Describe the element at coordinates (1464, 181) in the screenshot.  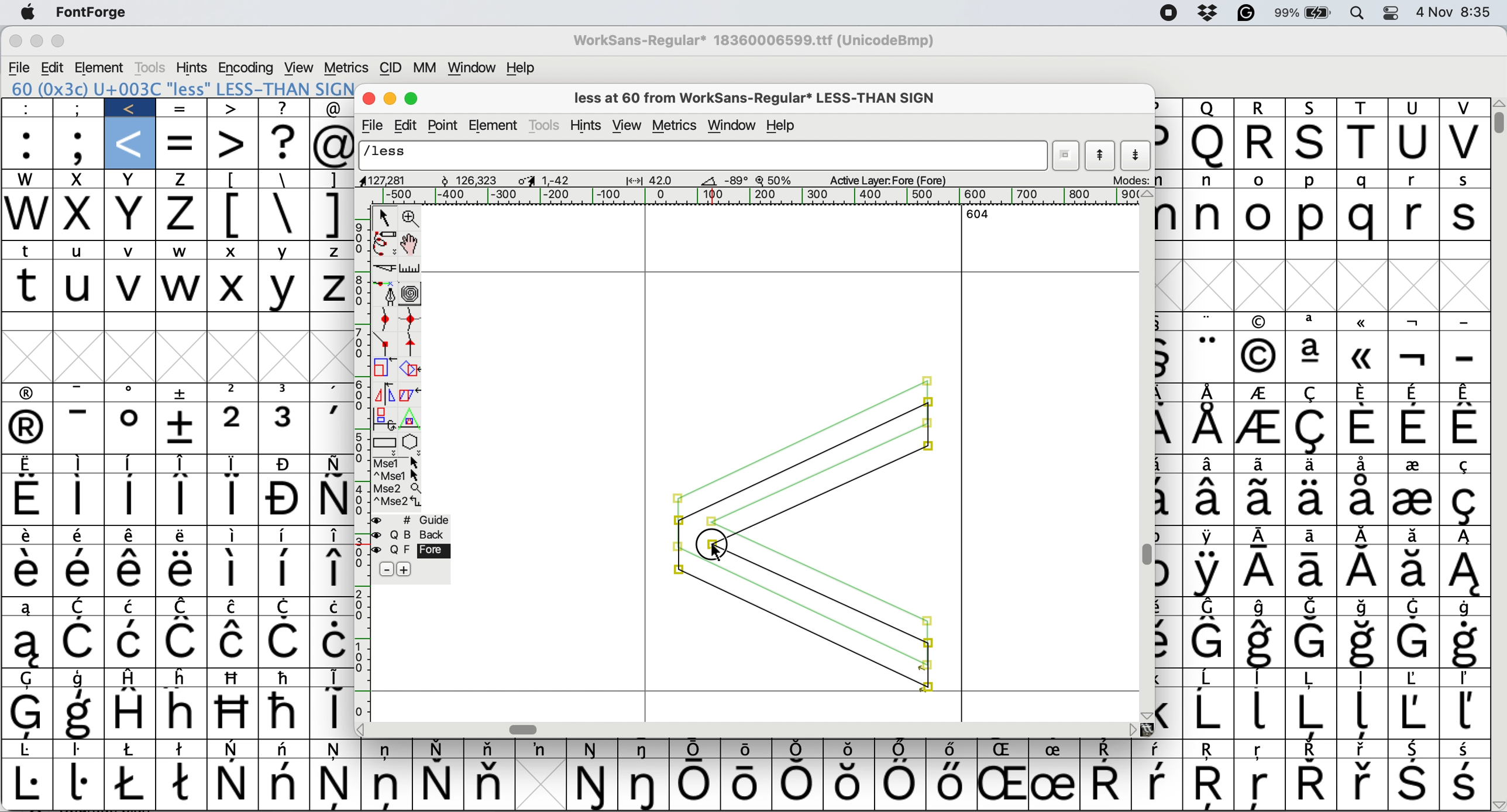
I see `s` at that location.